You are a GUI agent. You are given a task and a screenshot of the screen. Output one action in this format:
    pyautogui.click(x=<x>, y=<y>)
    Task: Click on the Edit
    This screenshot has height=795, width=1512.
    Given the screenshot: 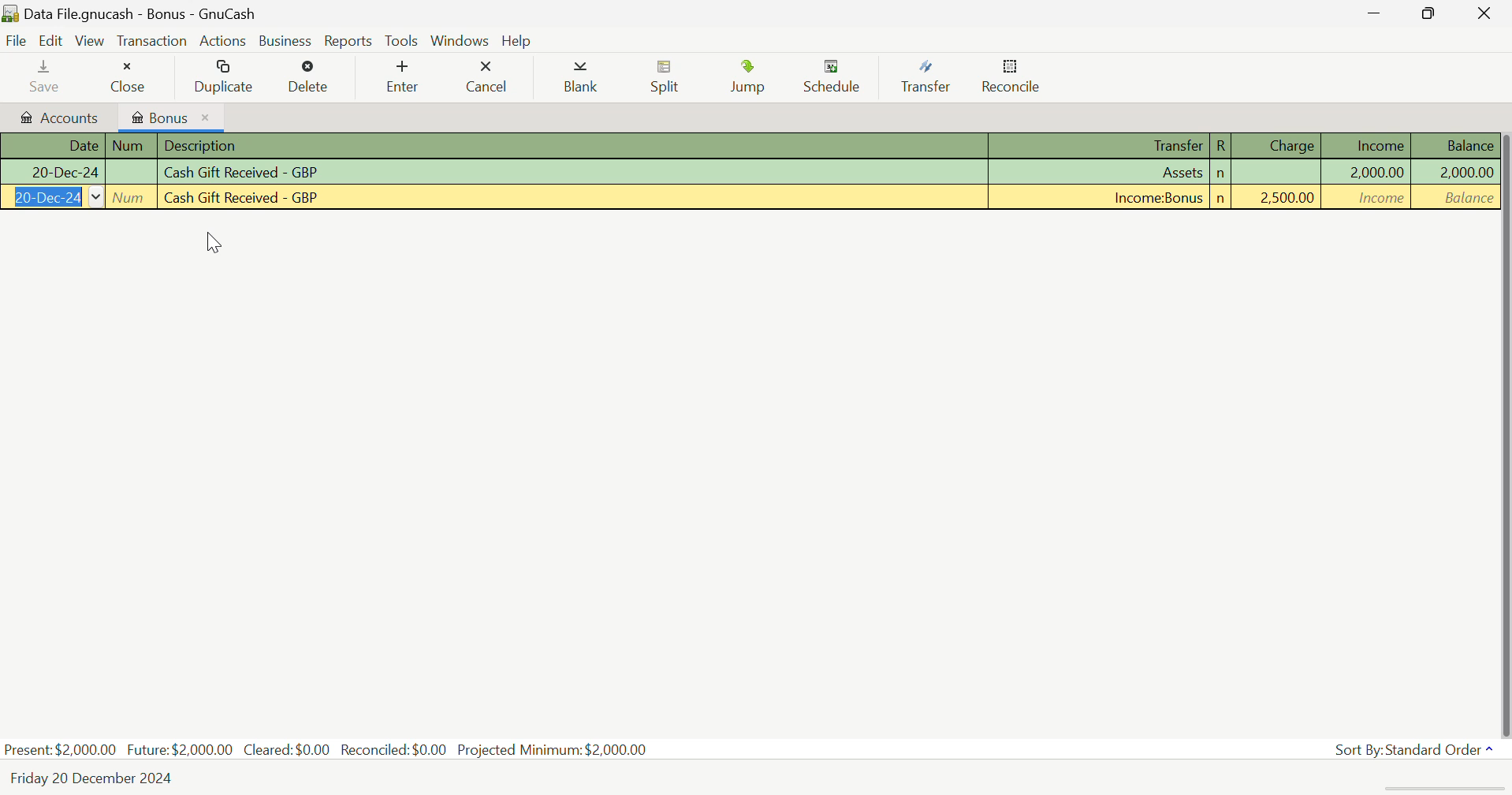 What is the action you would take?
    pyautogui.click(x=54, y=41)
    